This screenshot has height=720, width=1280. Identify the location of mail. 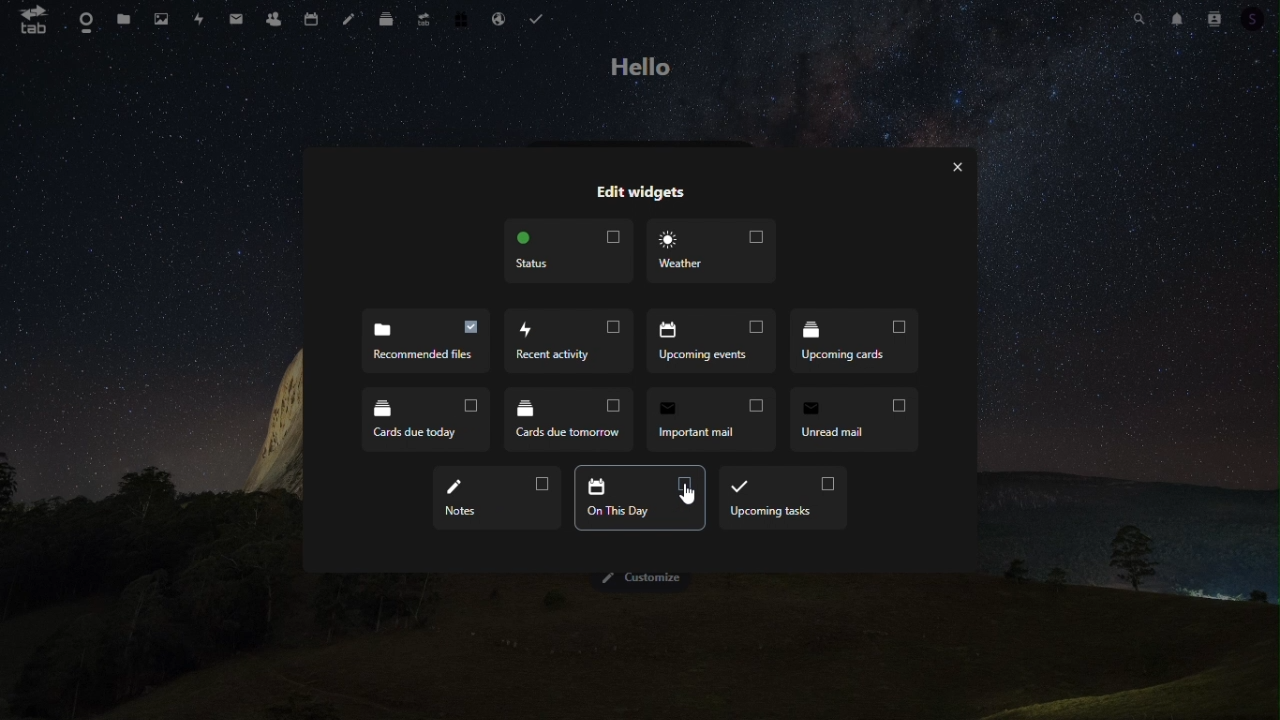
(236, 17).